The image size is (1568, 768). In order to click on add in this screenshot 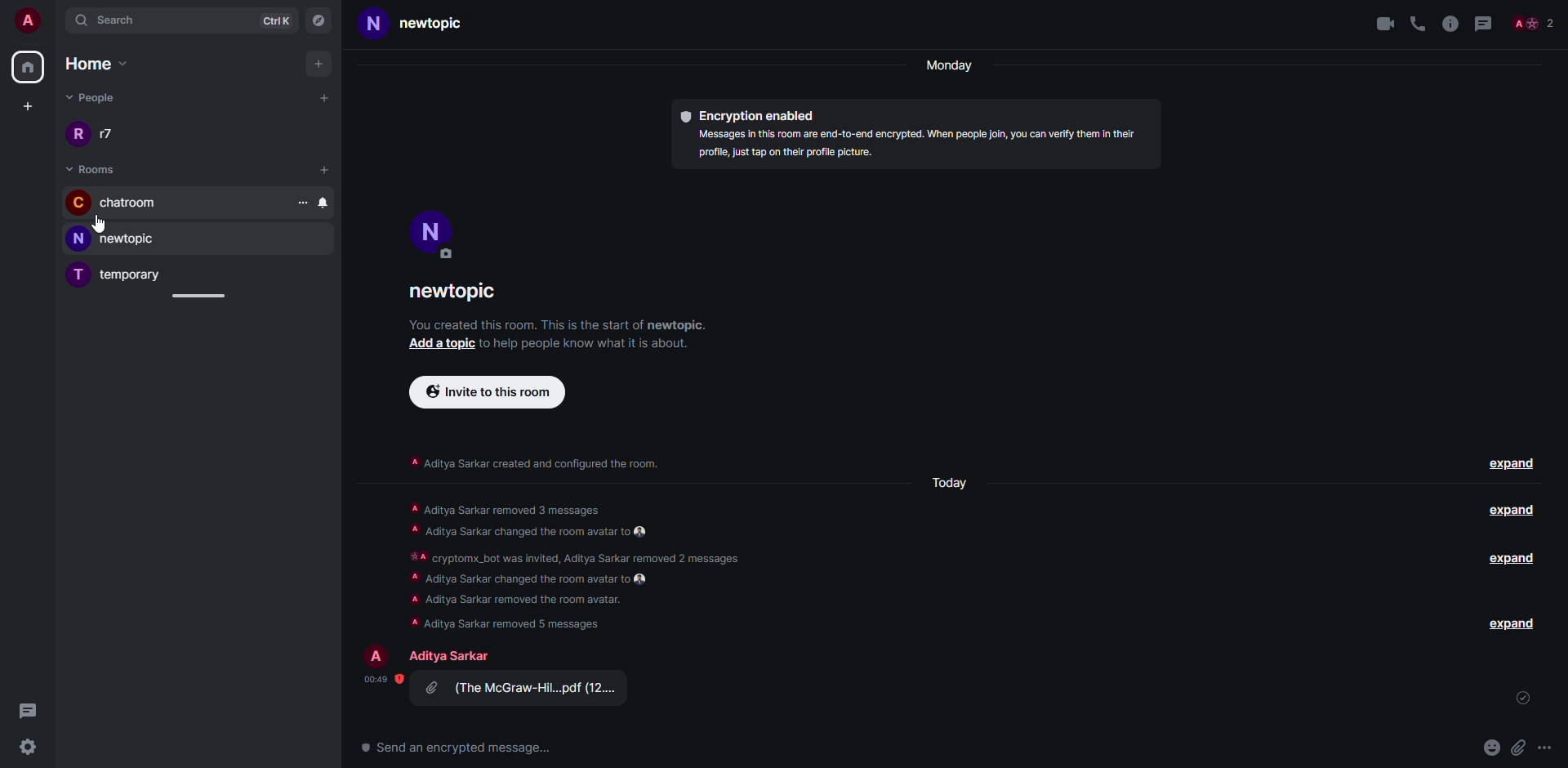, I will do `click(320, 64)`.